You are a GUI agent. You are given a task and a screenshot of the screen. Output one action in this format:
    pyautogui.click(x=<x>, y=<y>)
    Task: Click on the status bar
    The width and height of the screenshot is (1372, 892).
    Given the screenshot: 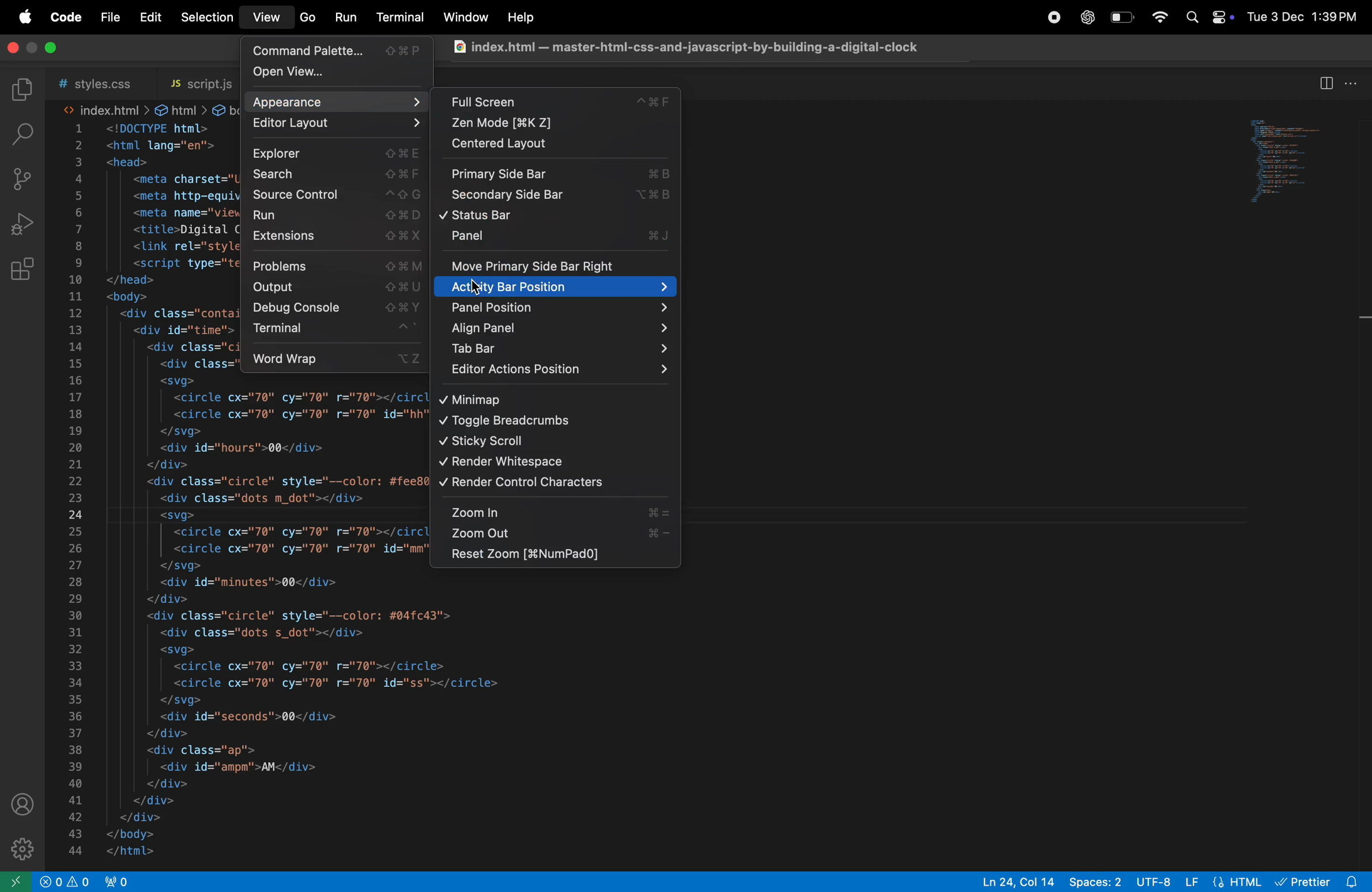 What is the action you would take?
    pyautogui.click(x=556, y=217)
    